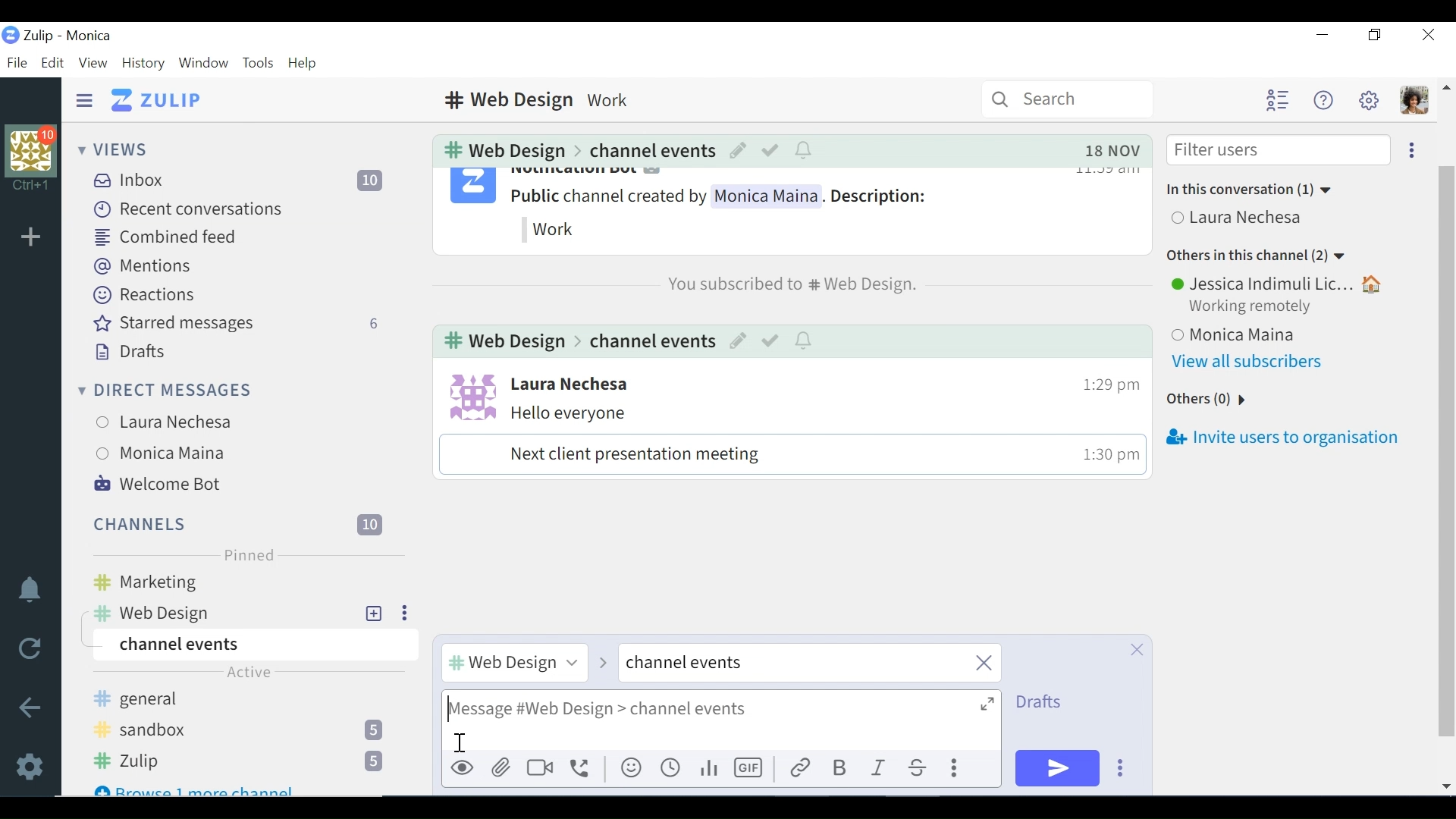 Image resolution: width=1456 pixels, height=819 pixels. I want to click on Mark as resolved, so click(771, 149).